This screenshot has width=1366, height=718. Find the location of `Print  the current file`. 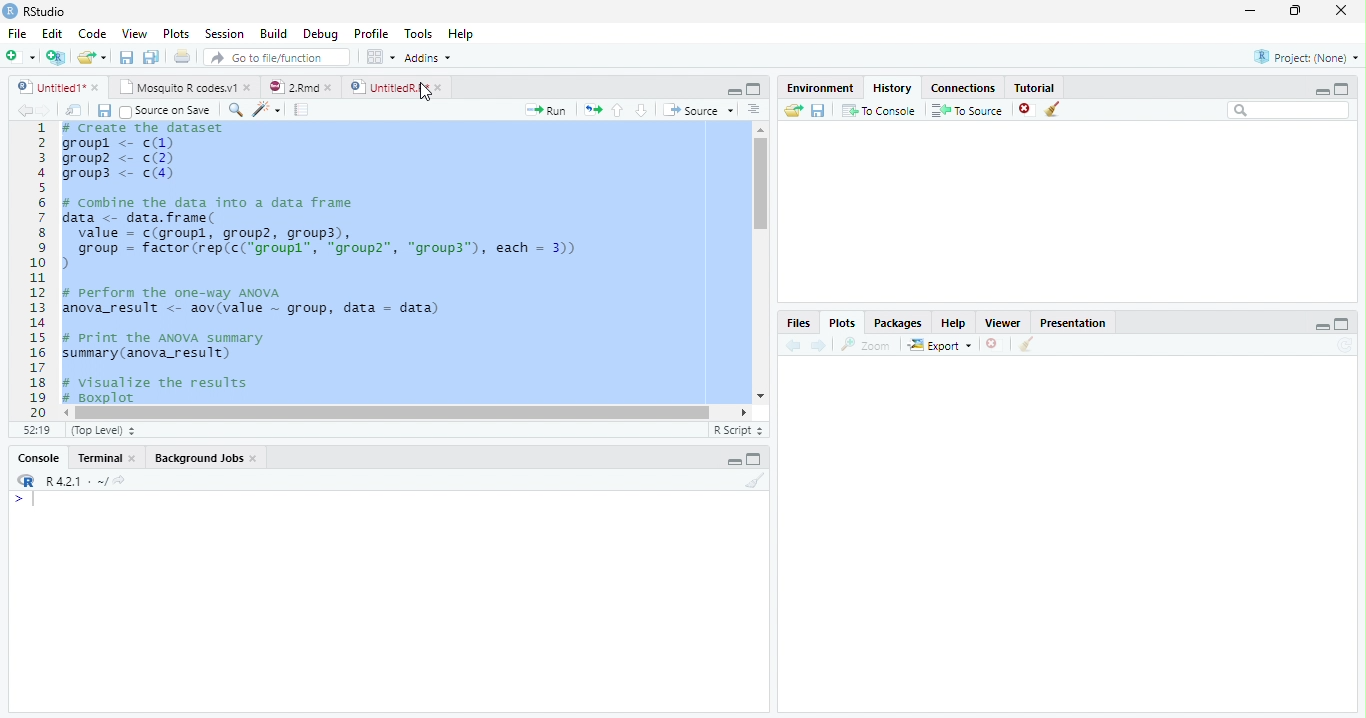

Print  the current file is located at coordinates (183, 57).